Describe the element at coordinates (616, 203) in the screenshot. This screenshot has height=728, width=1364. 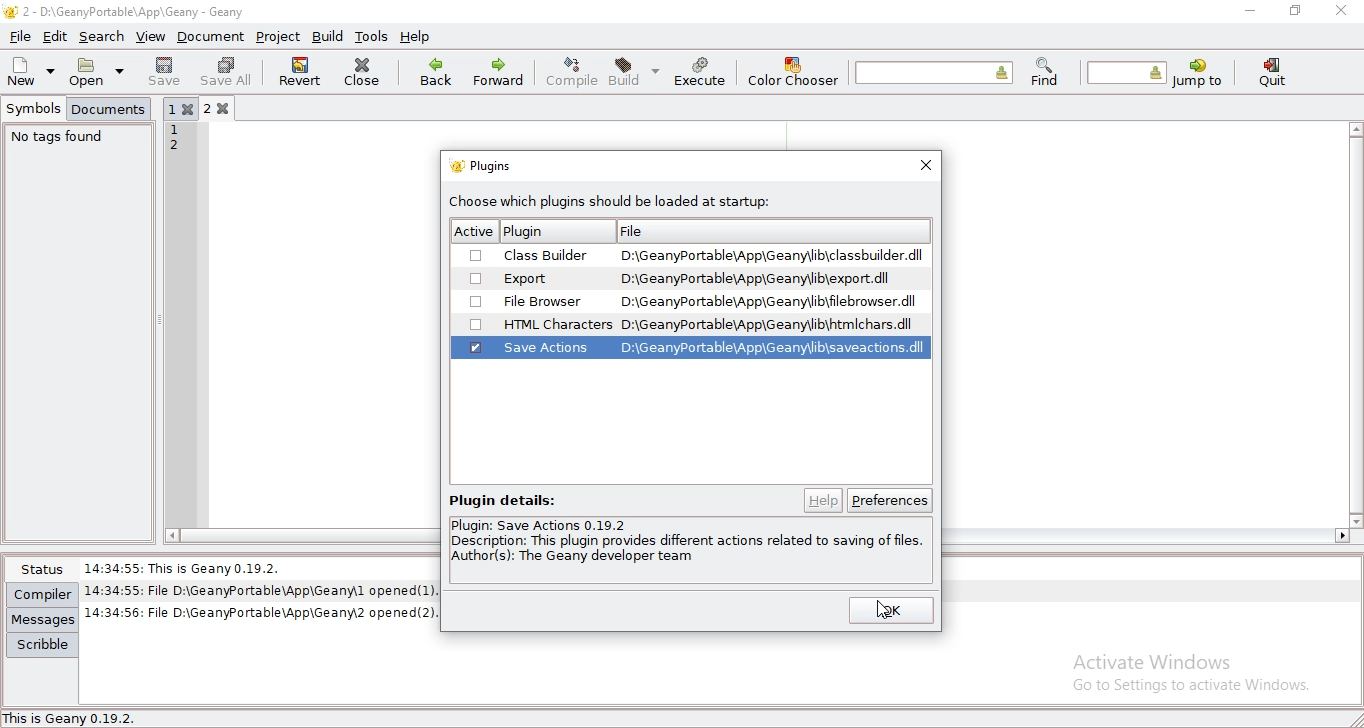
I see `choose which plugin should be loaded at startup.` at that location.